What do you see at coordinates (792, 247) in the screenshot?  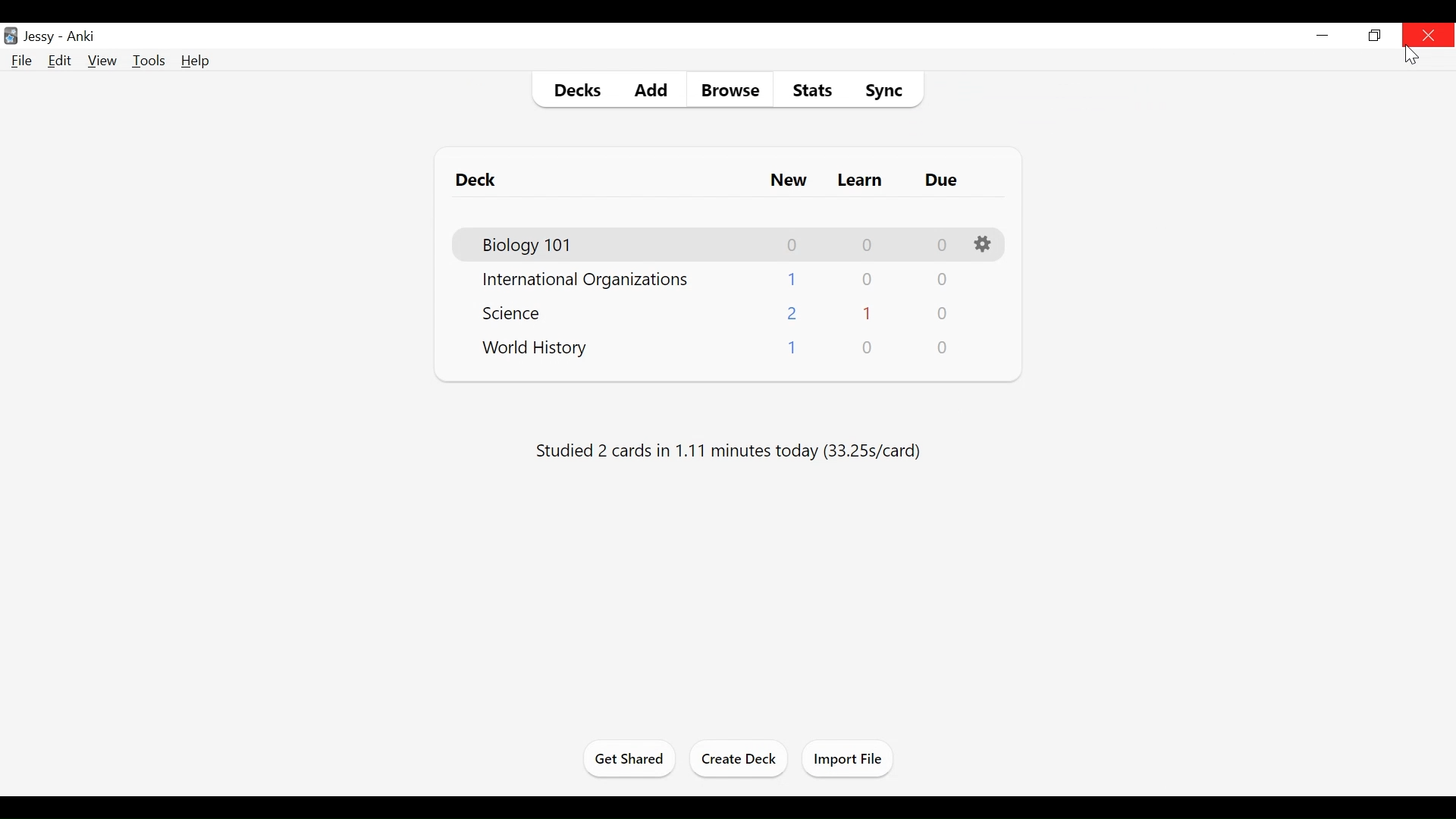 I see `New Card Count` at bounding box center [792, 247].